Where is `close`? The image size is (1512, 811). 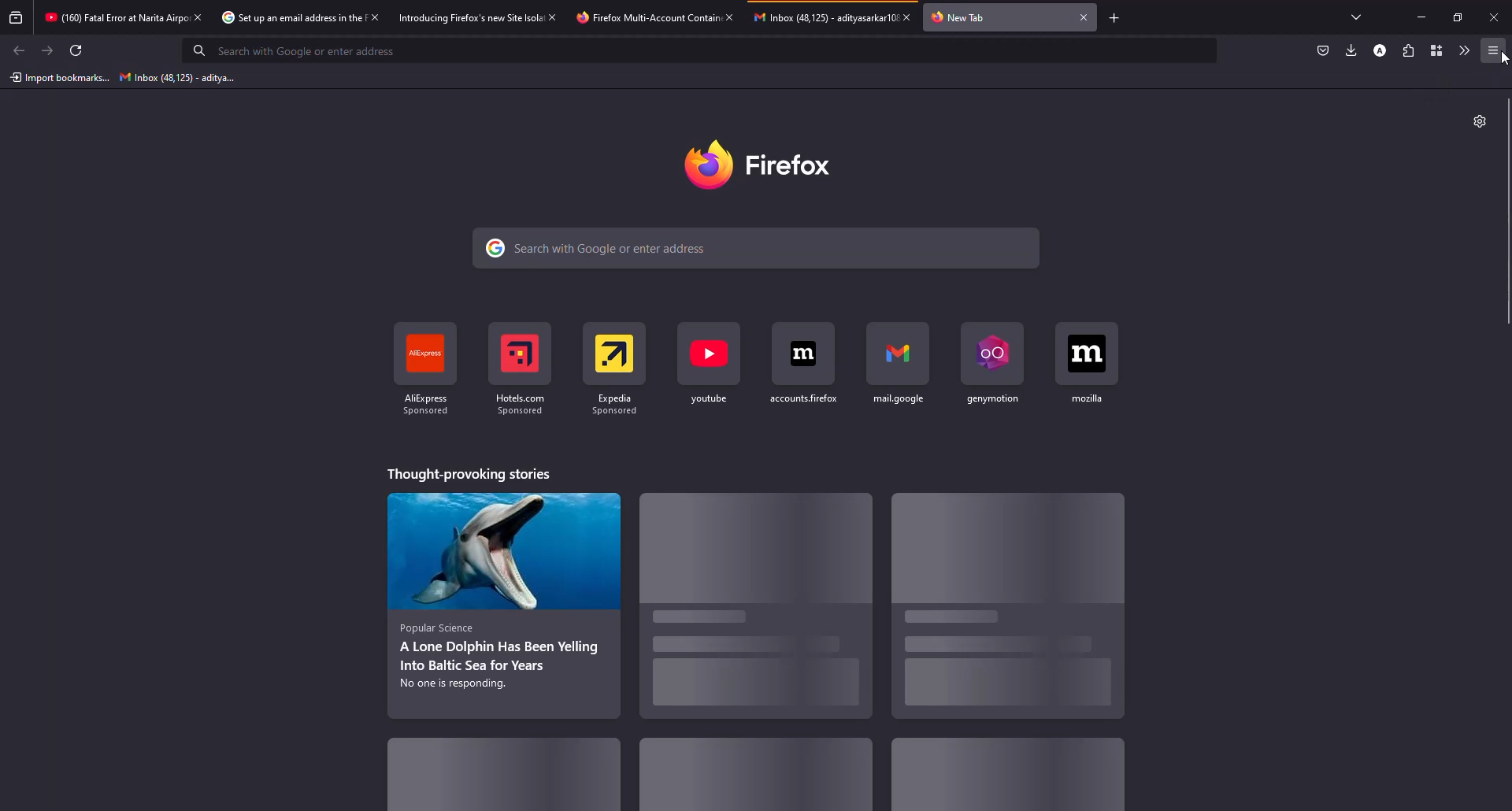
close is located at coordinates (197, 17).